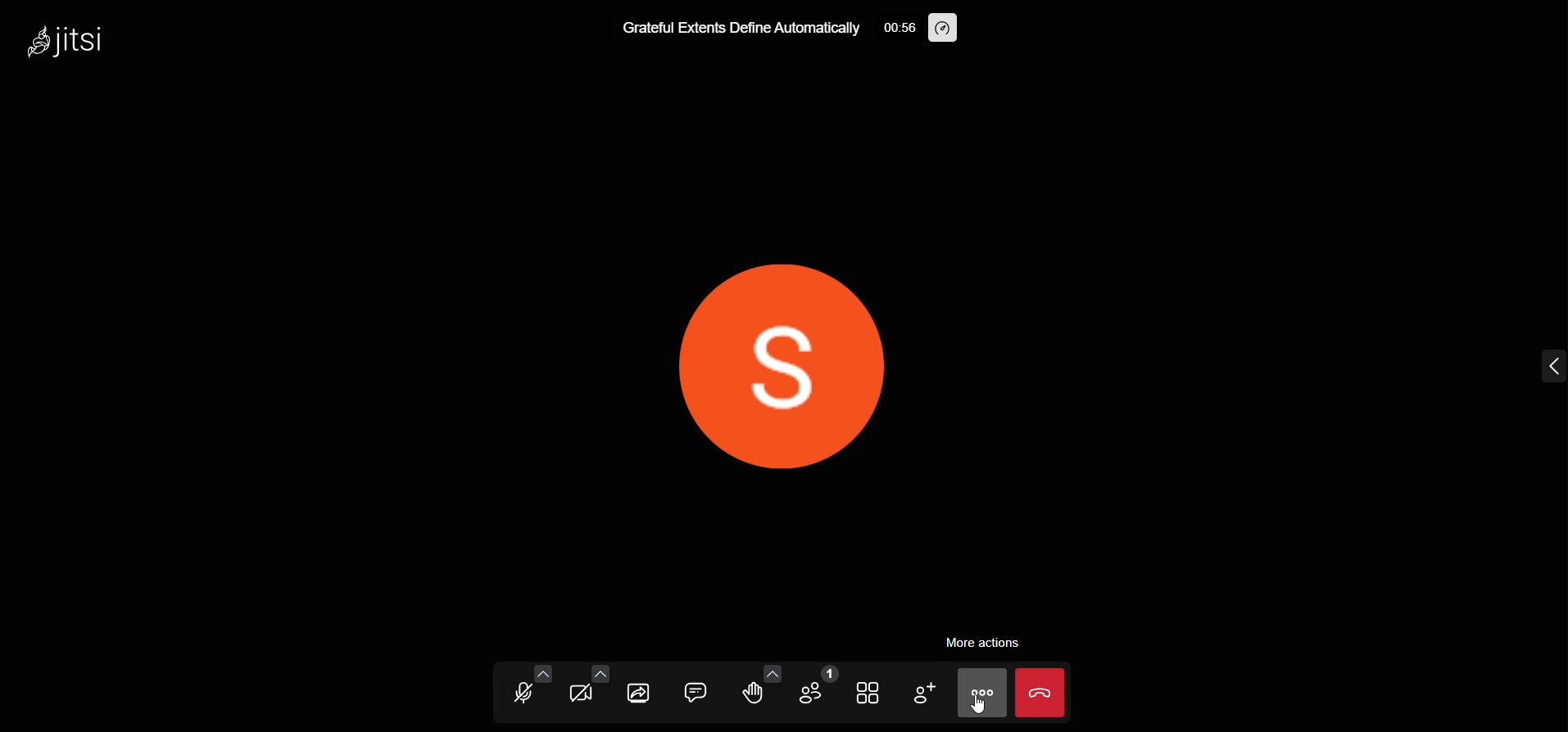  What do you see at coordinates (67, 44) in the screenshot?
I see `logo` at bounding box center [67, 44].